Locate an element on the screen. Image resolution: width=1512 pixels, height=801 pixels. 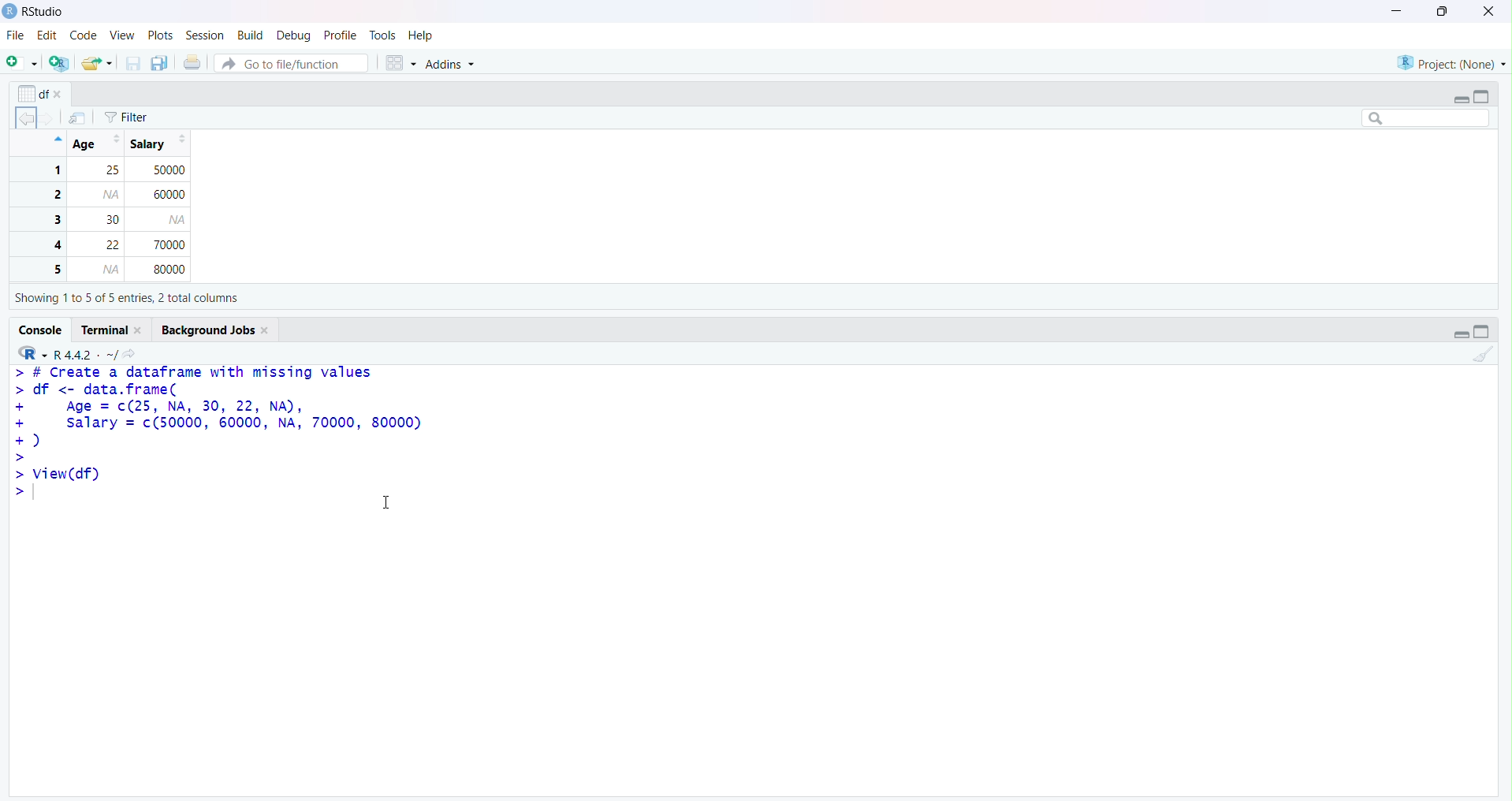
Maximize/Restore is located at coordinates (1483, 331).